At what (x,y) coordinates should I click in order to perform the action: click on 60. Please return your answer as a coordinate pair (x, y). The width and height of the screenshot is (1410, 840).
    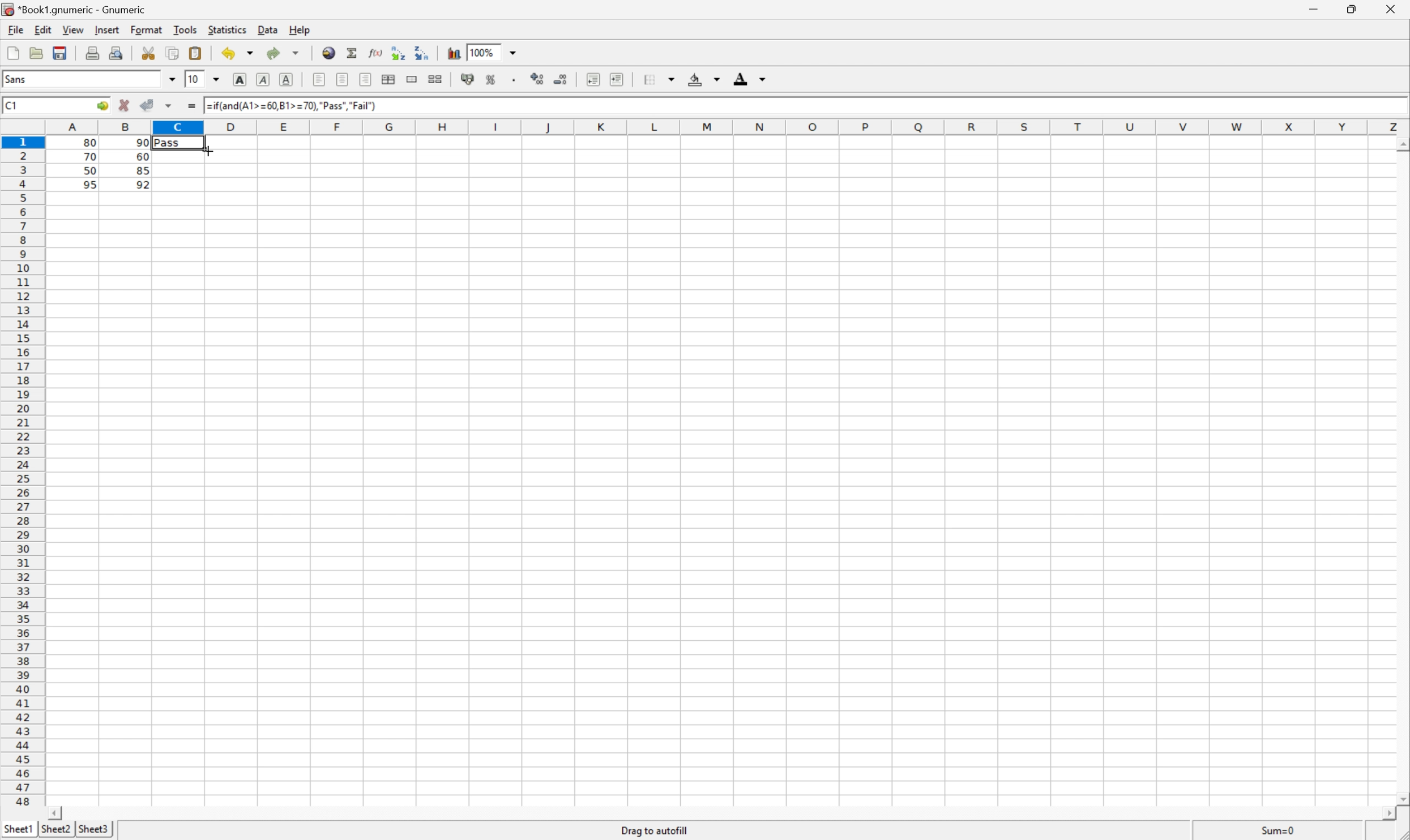
    Looking at the image, I should click on (142, 156).